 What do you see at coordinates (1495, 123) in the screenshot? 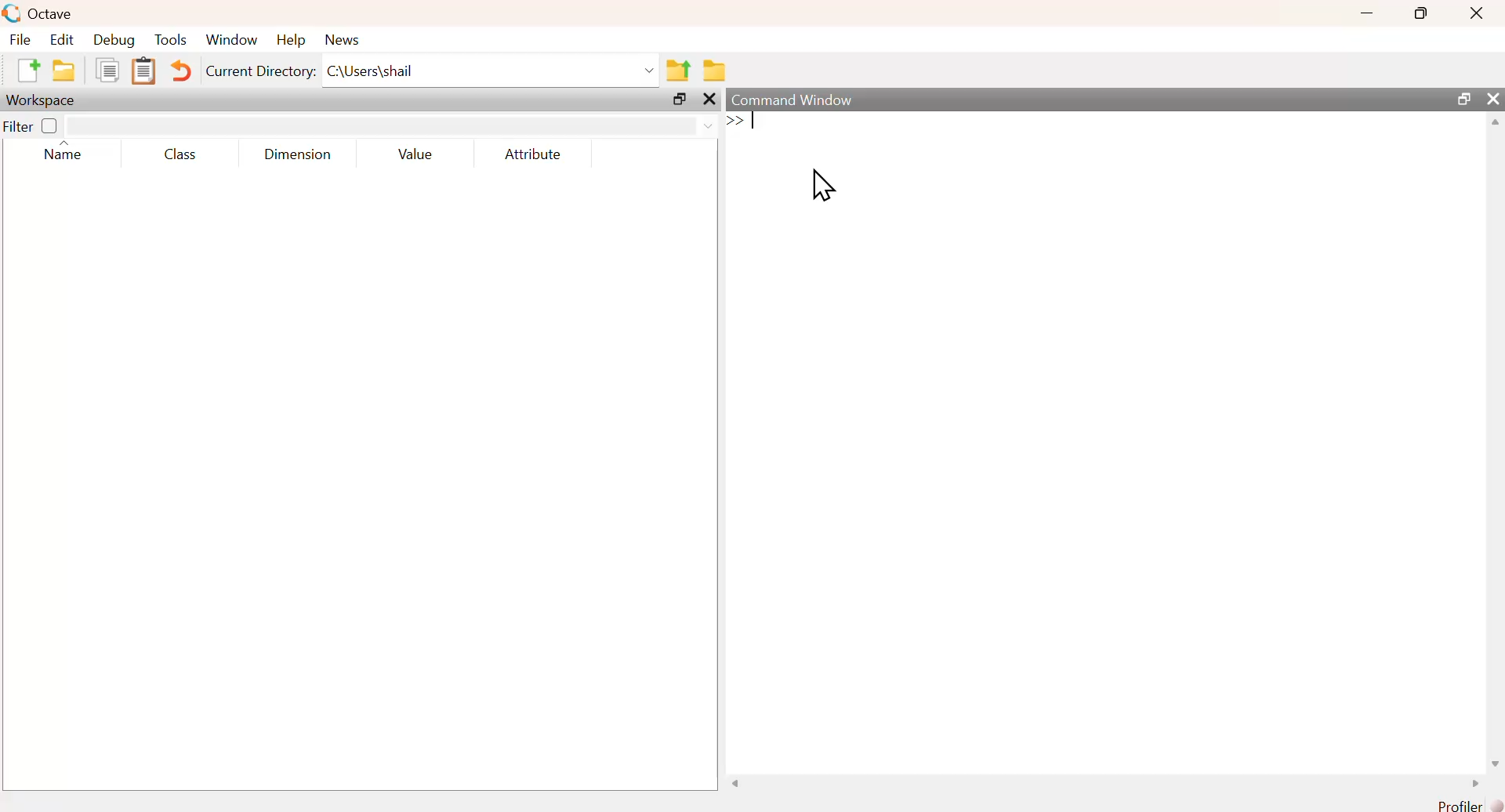
I see `scroll up` at bounding box center [1495, 123].